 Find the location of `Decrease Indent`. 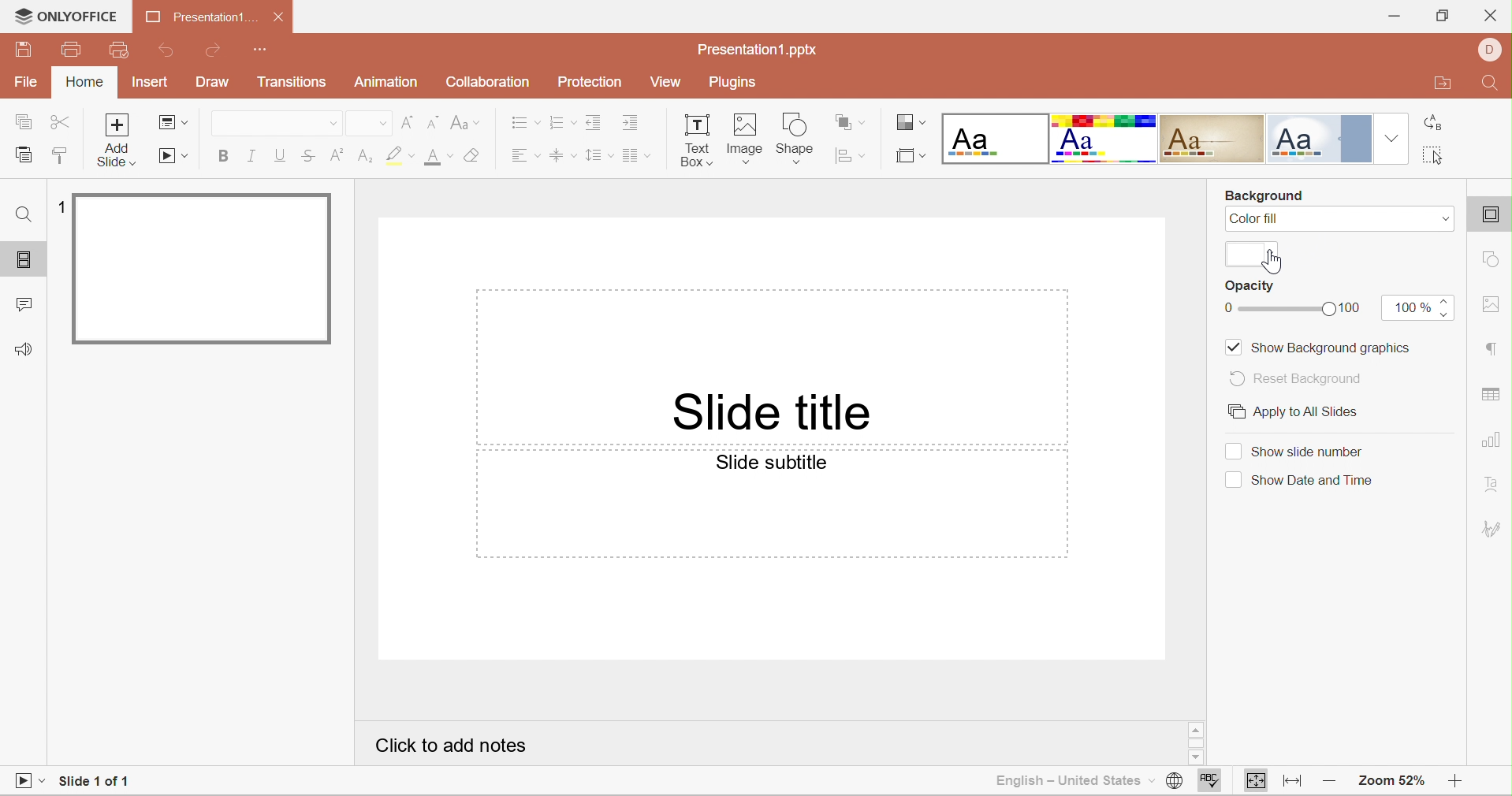

Decrease Indent is located at coordinates (594, 121).